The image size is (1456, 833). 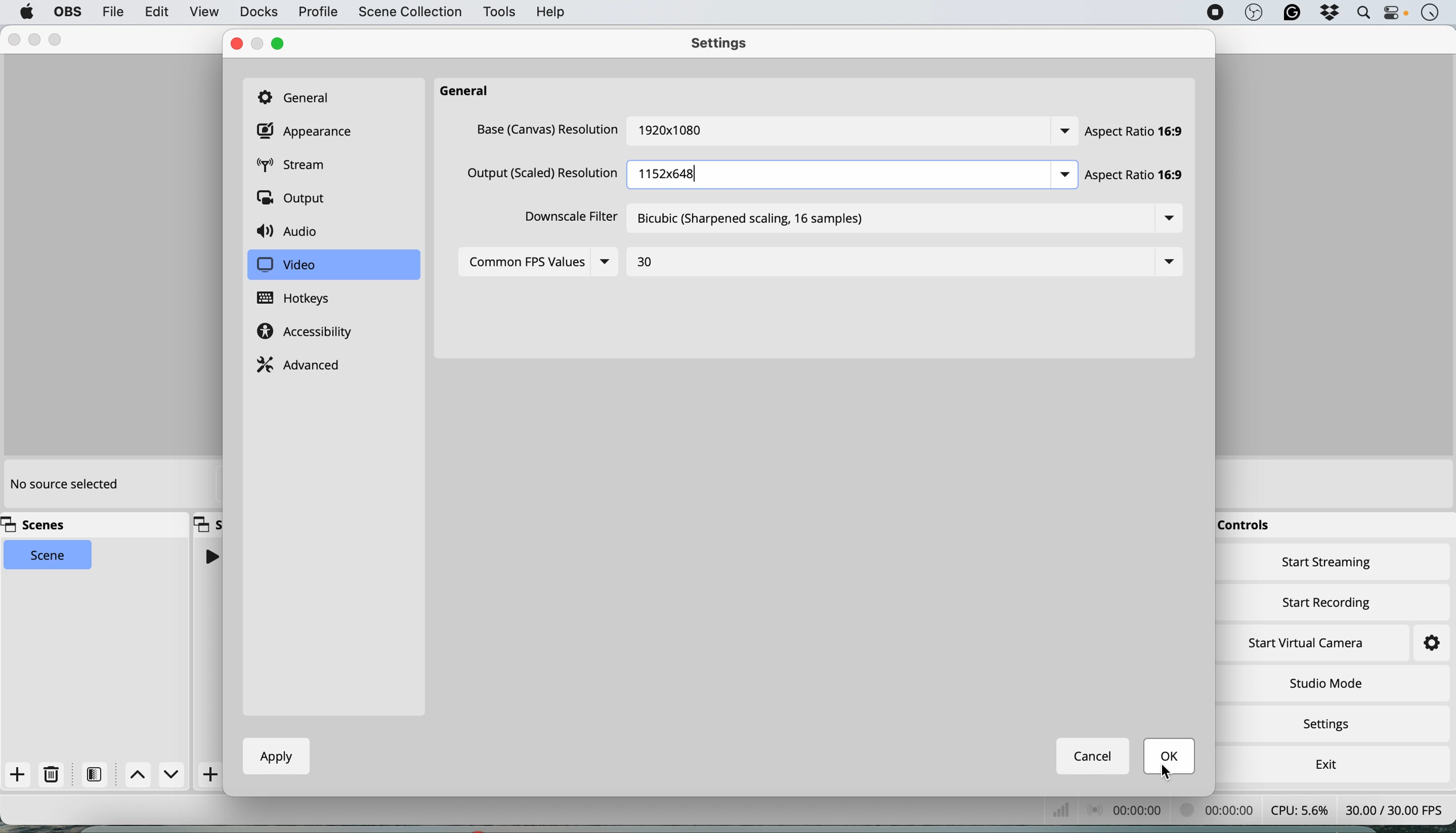 What do you see at coordinates (258, 12) in the screenshot?
I see `docks` at bounding box center [258, 12].